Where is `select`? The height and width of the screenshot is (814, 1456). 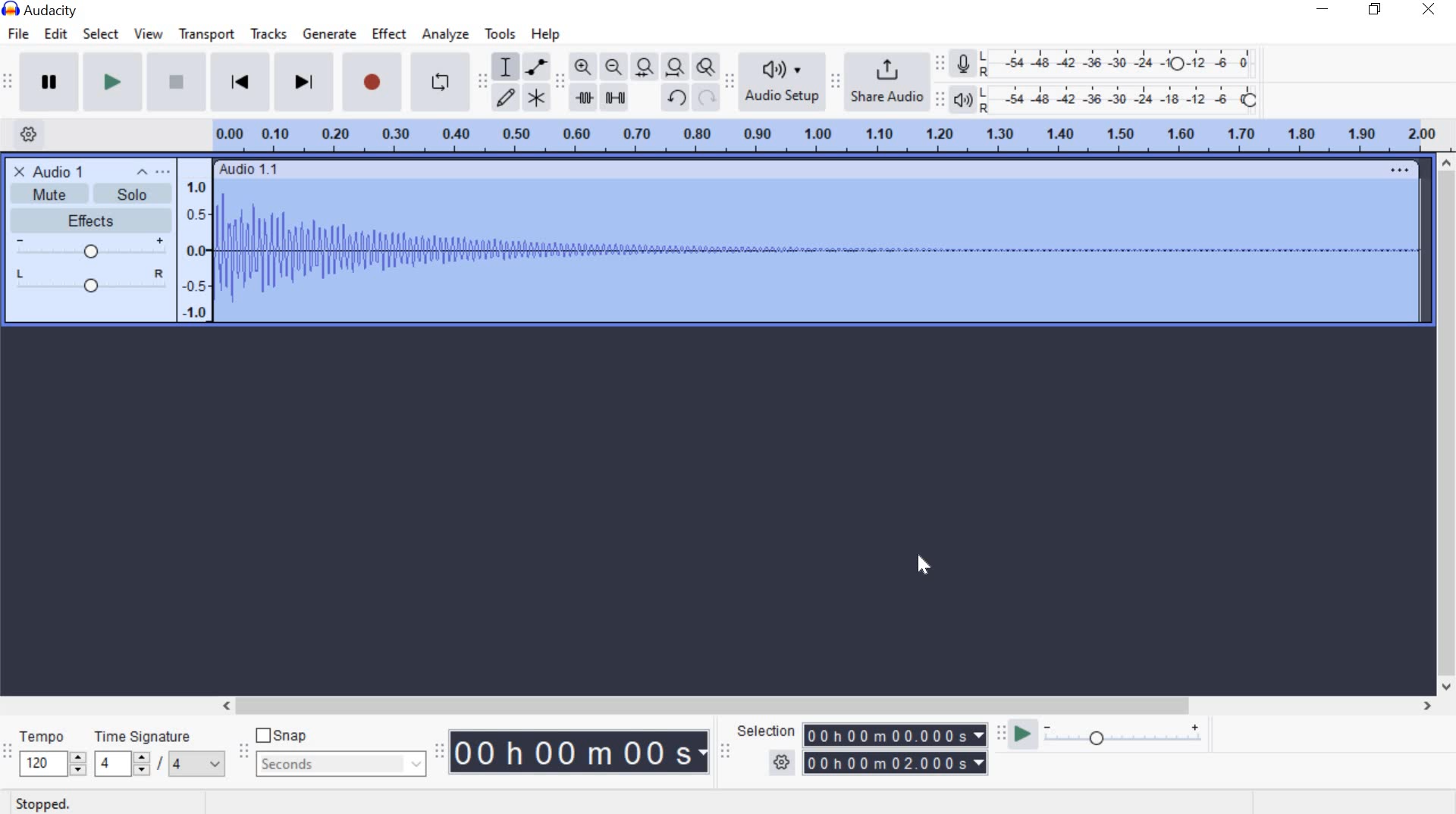
select is located at coordinates (101, 36).